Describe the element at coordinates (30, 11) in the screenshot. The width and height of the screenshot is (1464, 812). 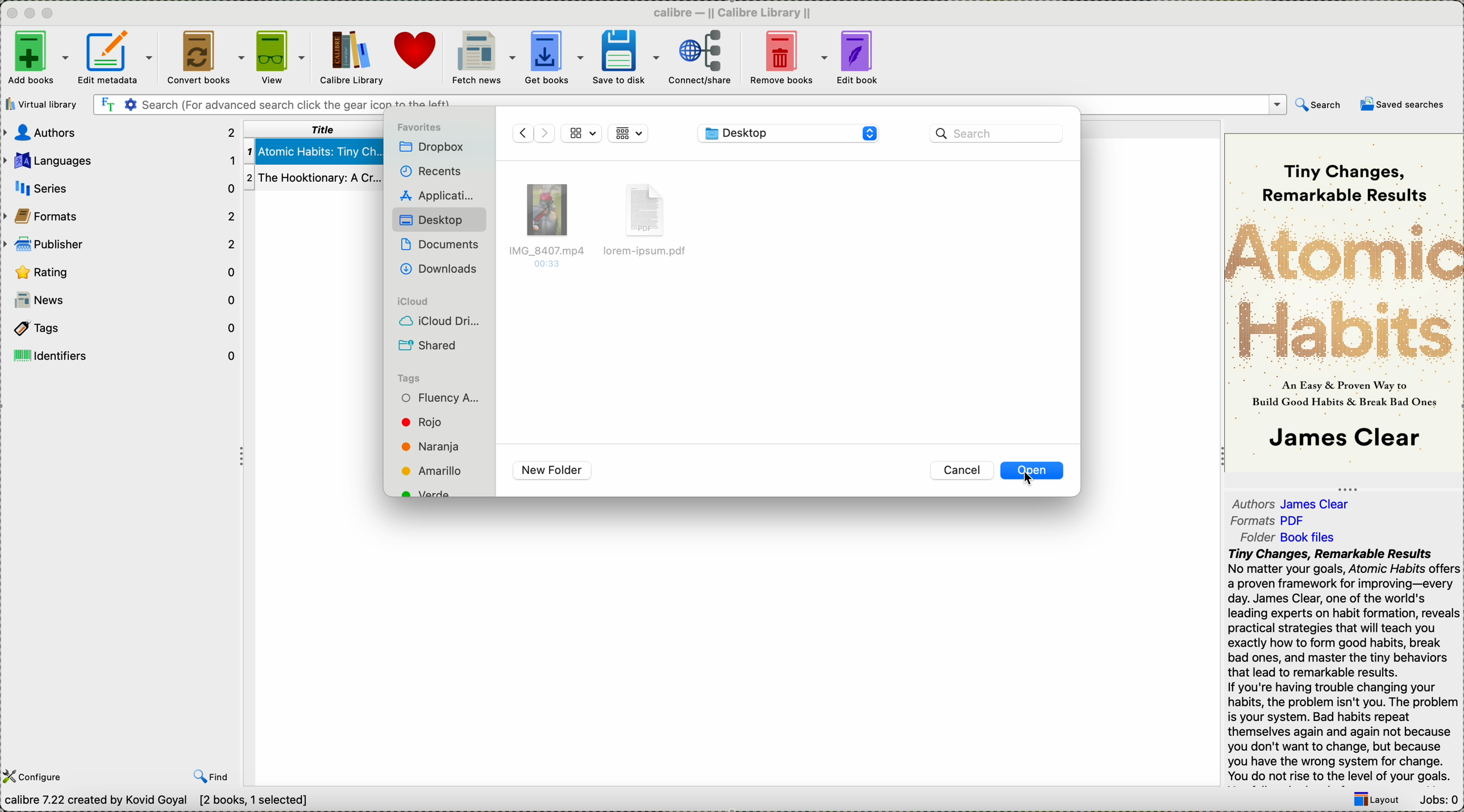
I see `minimize` at that location.